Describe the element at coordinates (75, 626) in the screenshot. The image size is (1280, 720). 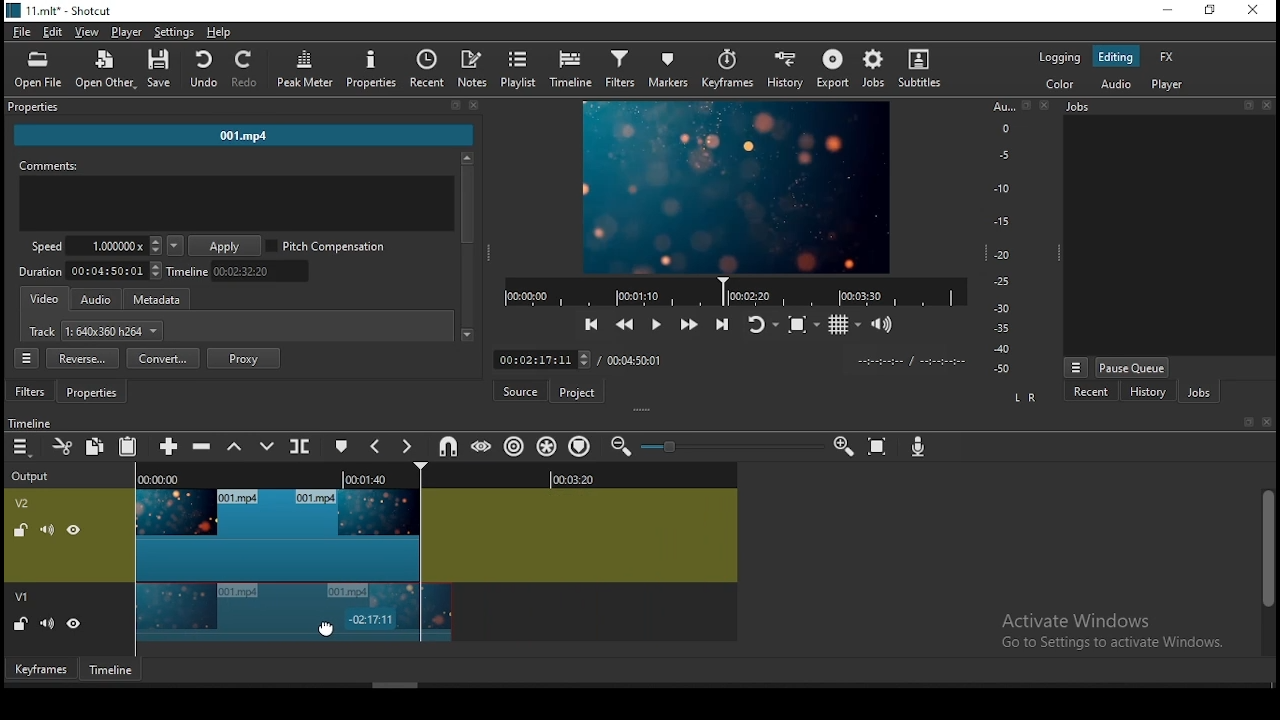
I see `(UN)HIDE` at that location.